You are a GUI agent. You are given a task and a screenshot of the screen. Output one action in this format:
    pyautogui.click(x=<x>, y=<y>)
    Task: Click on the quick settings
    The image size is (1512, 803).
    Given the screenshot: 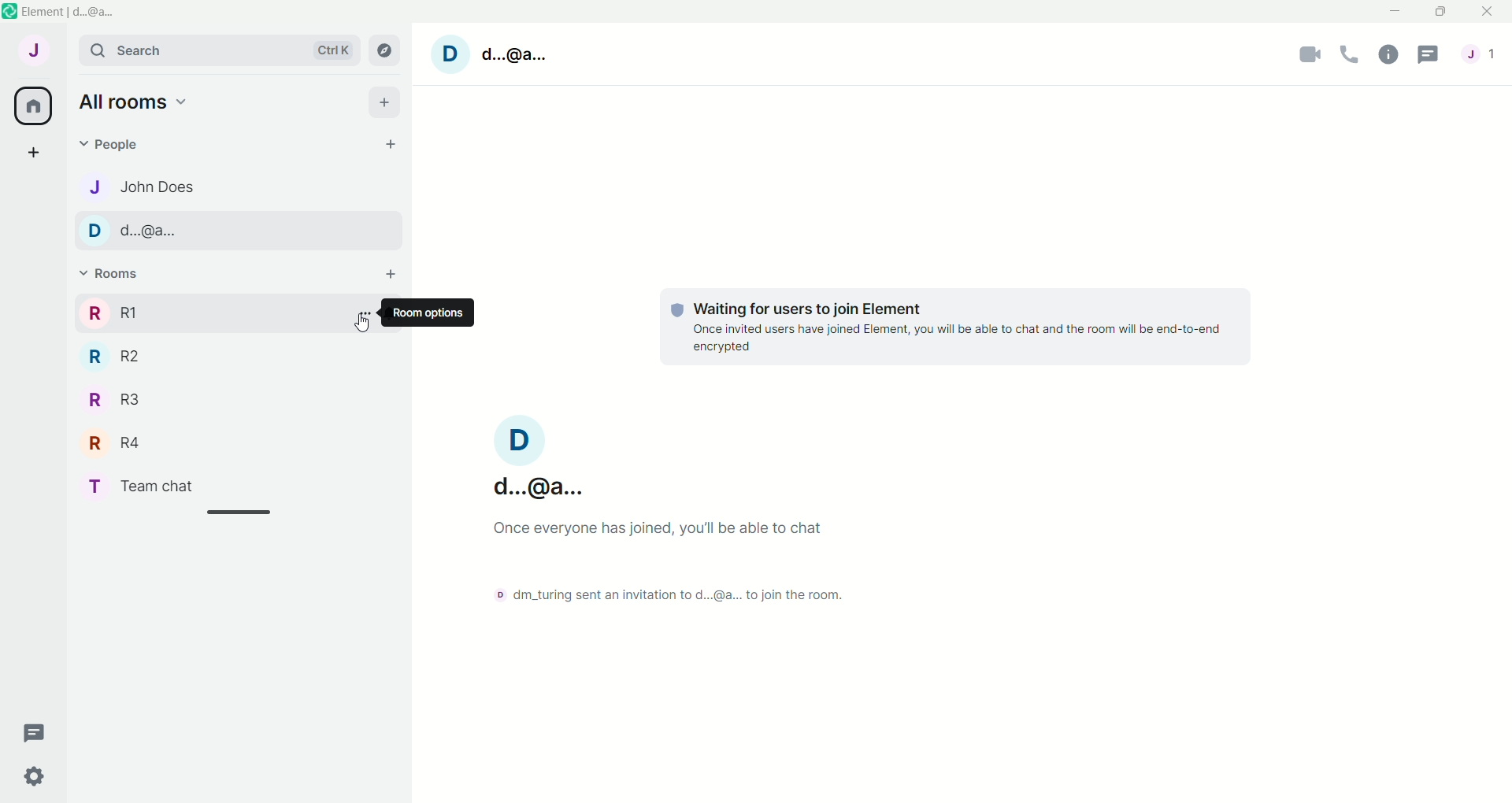 What is the action you would take?
    pyautogui.click(x=31, y=775)
    